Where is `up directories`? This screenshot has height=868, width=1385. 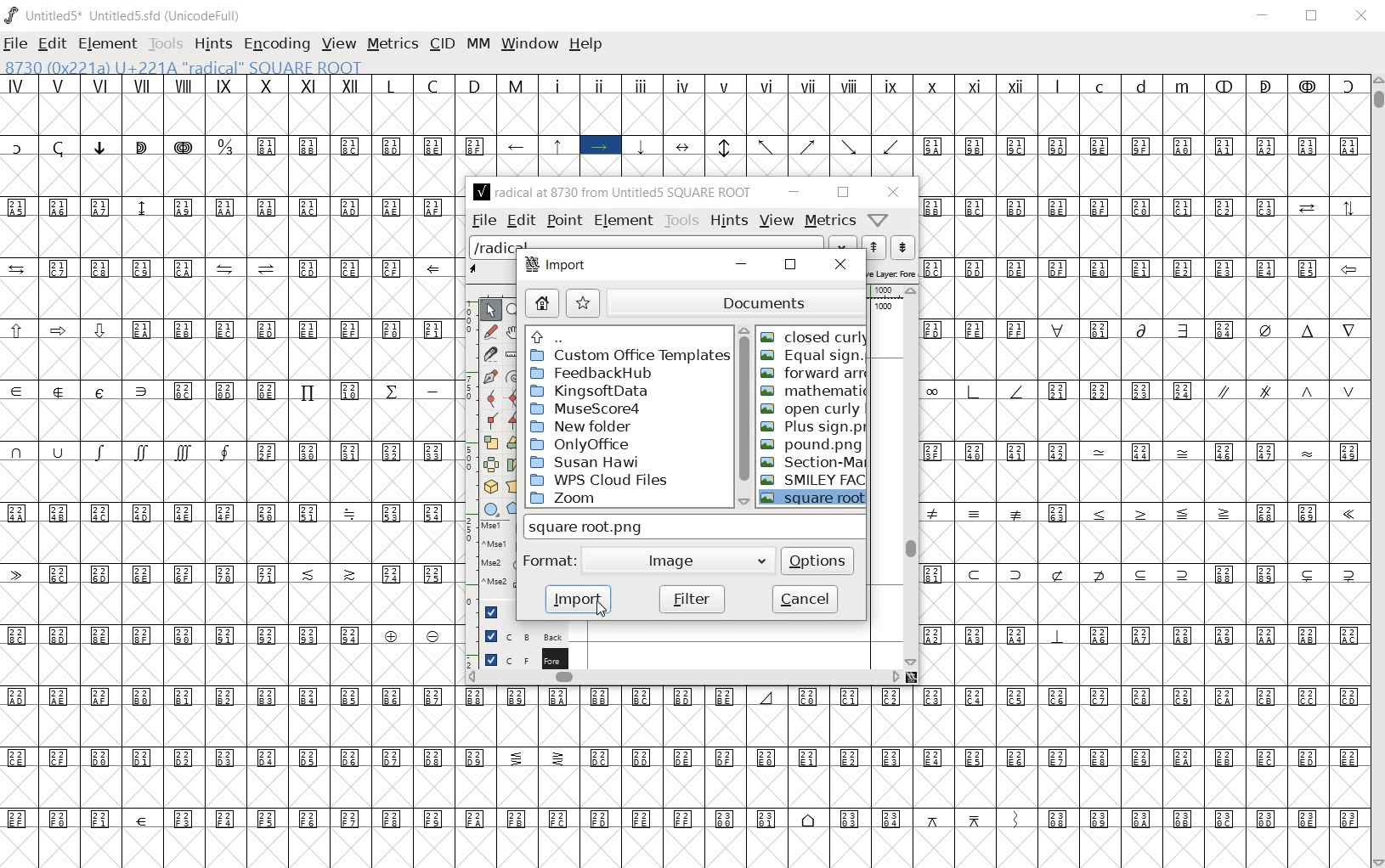
up directories is located at coordinates (627, 335).